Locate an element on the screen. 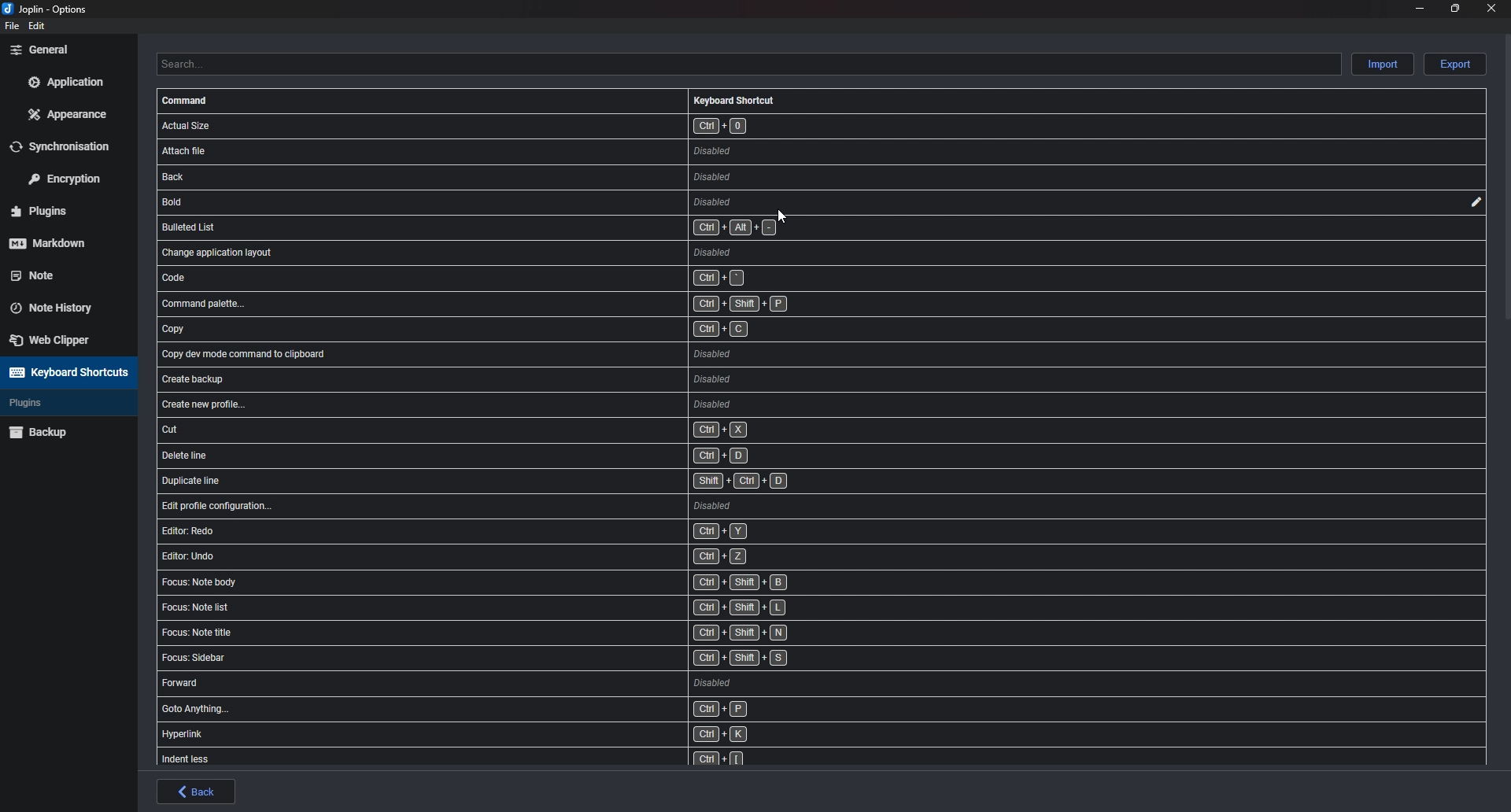 The image size is (1511, 812). shortcut is located at coordinates (541, 504).